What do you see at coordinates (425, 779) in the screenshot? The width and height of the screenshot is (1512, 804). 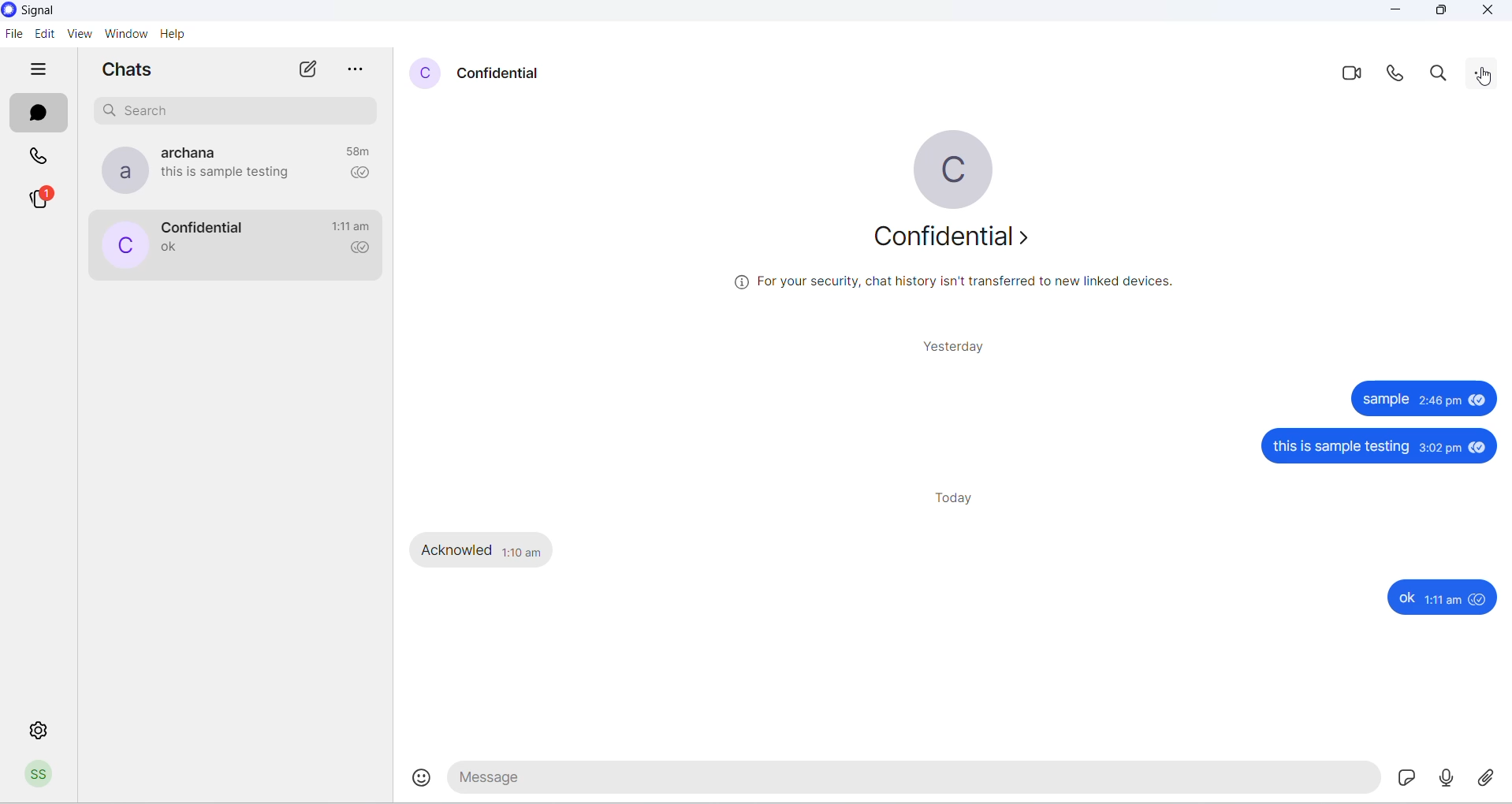 I see `emojis` at bounding box center [425, 779].